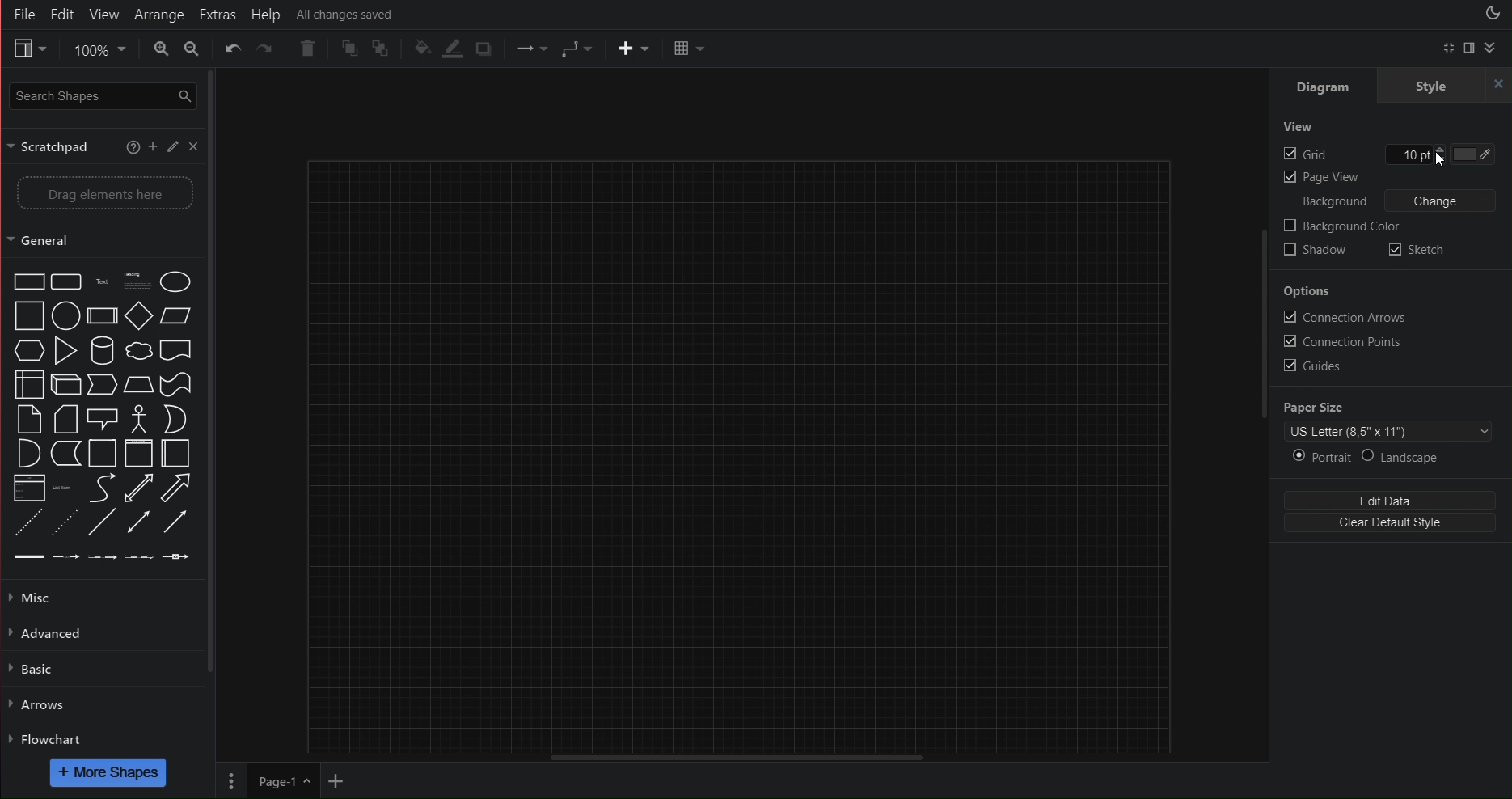  What do you see at coordinates (1315, 406) in the screenshot?
I see `Paper Size` at bounding box center [1315, 406].